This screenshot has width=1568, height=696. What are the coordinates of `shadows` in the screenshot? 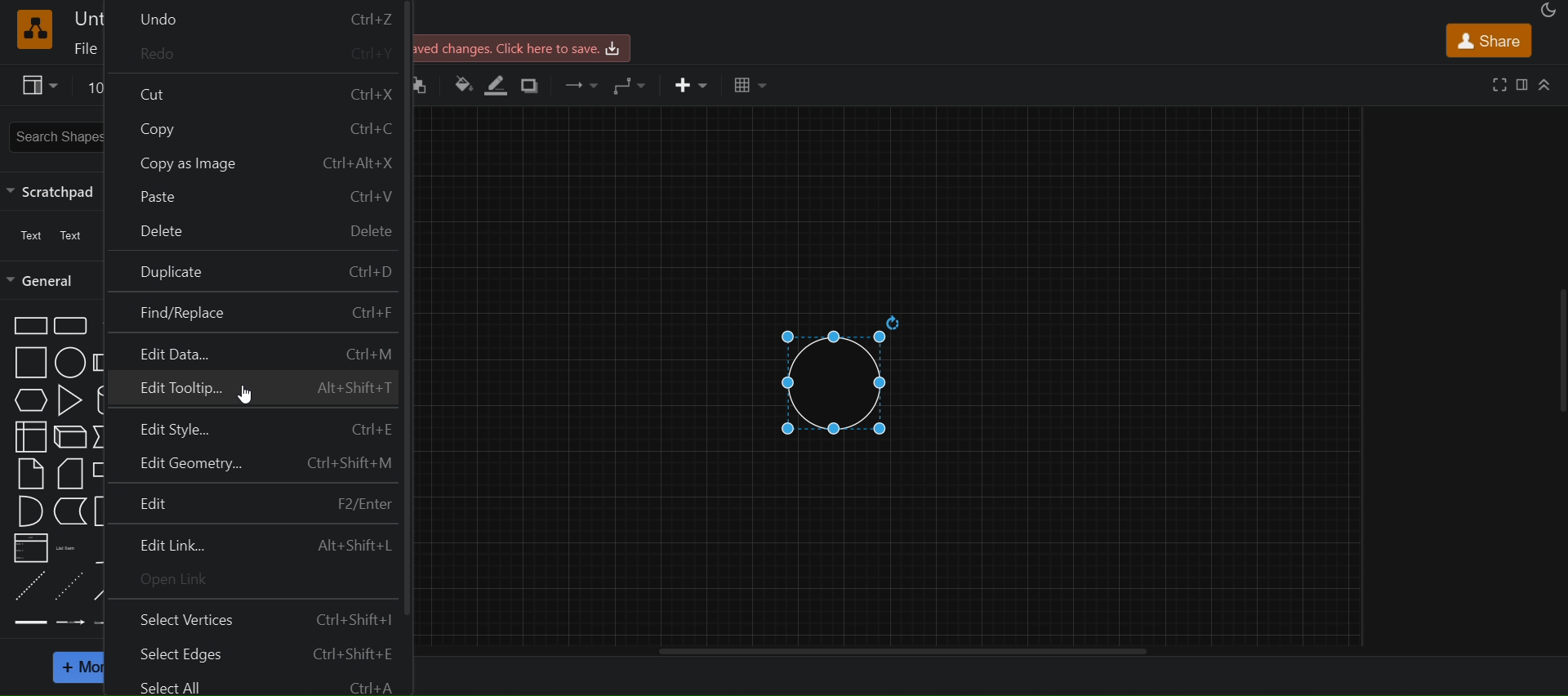 It's located at (531, 87).